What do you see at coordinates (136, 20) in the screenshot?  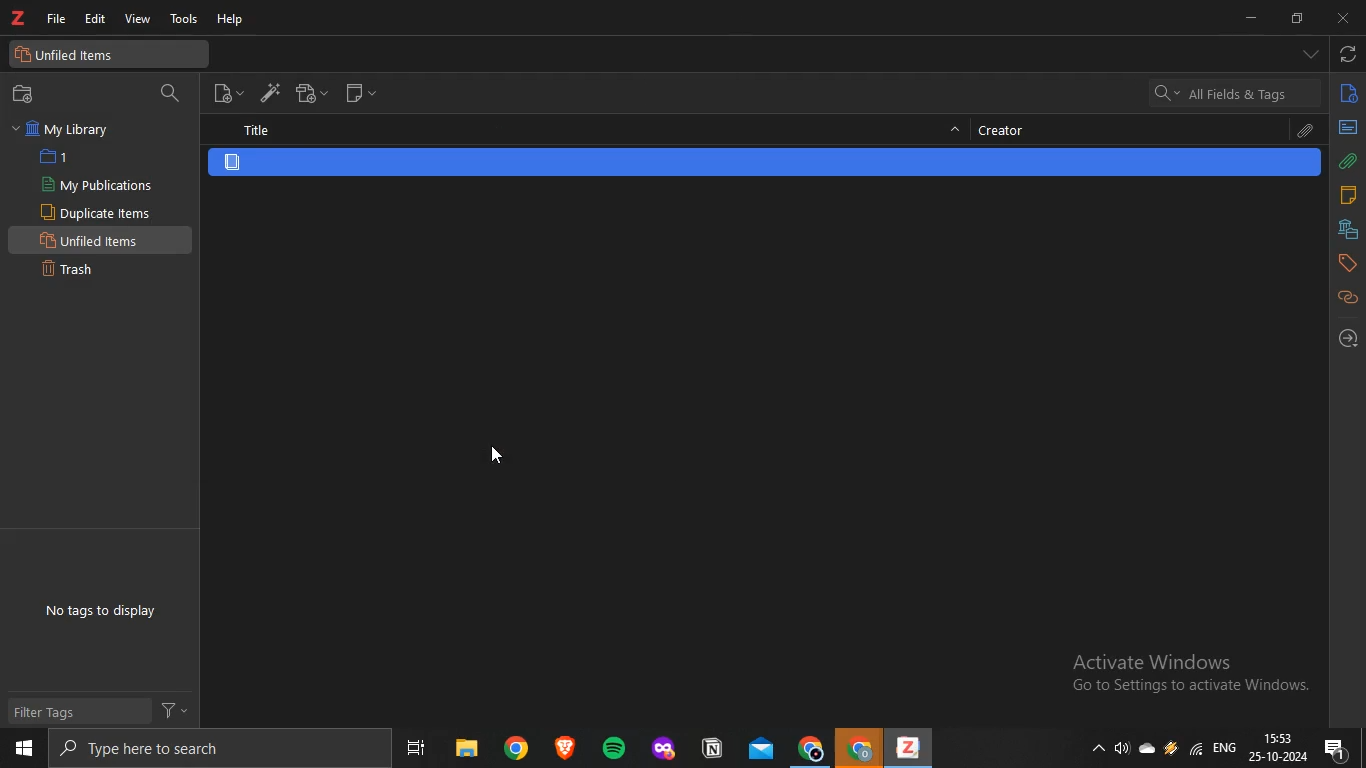 I see `view` at bounding box center [136, 20].